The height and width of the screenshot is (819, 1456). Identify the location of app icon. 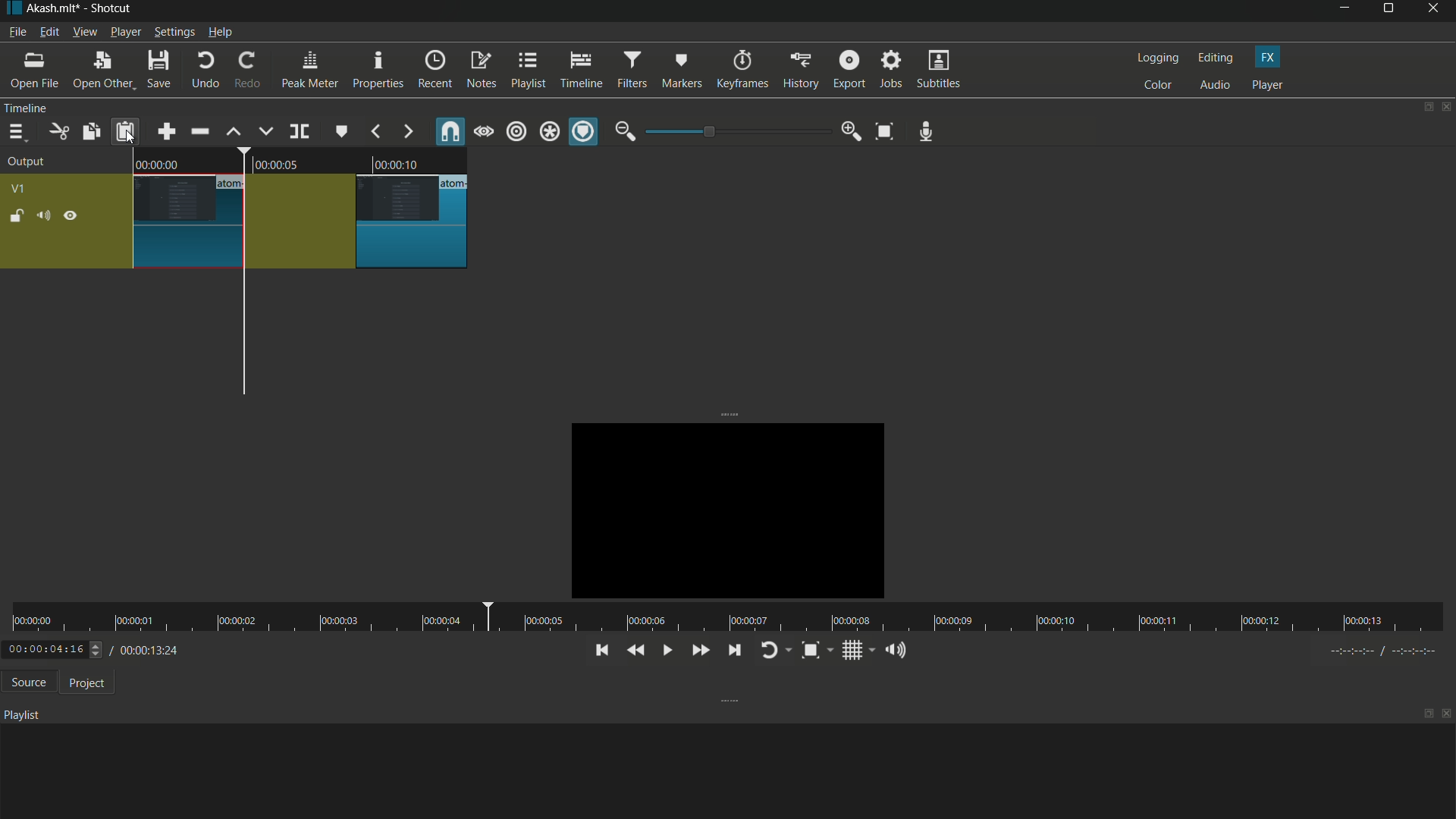
(11, 9).